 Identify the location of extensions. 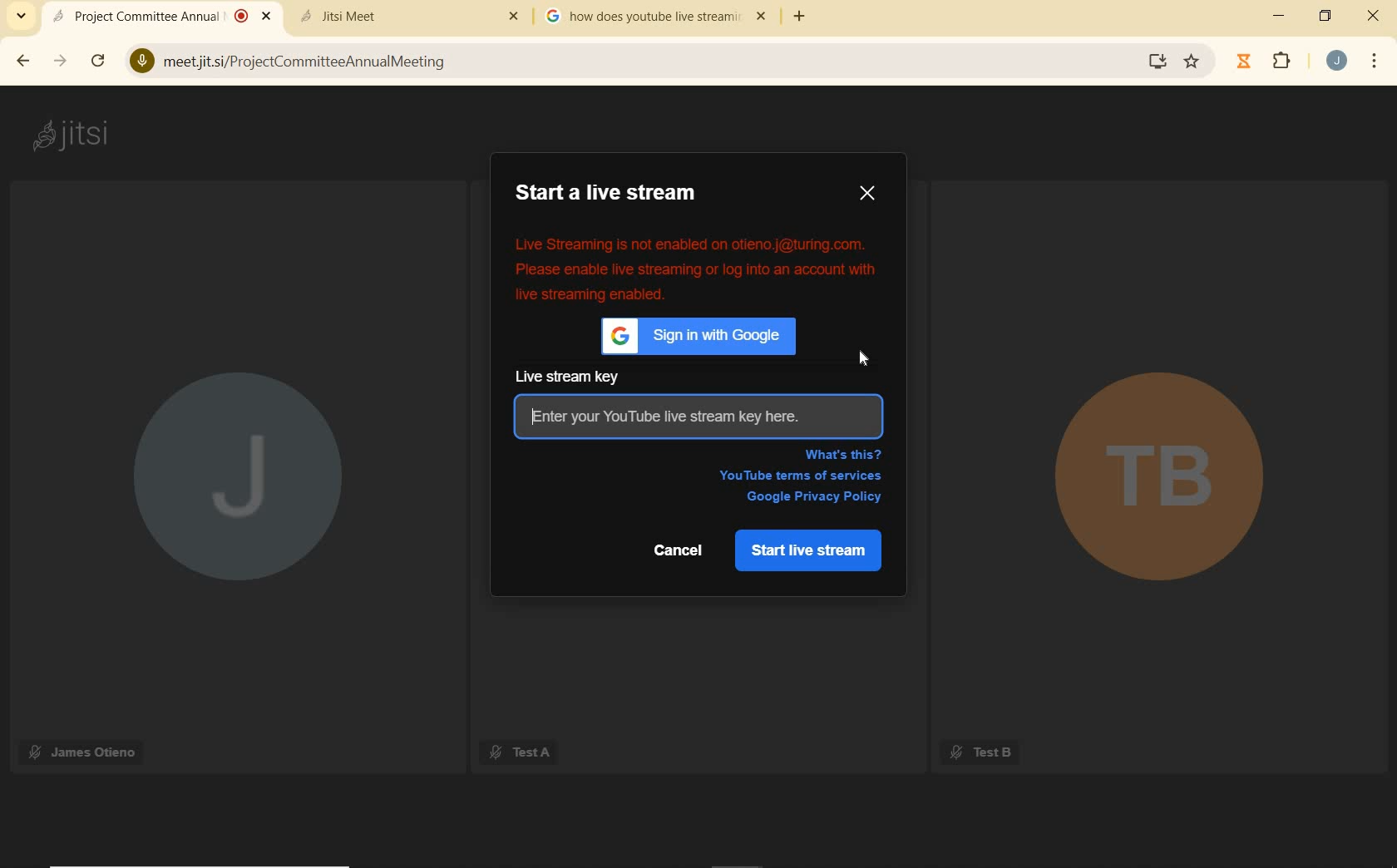
(1286, 63).